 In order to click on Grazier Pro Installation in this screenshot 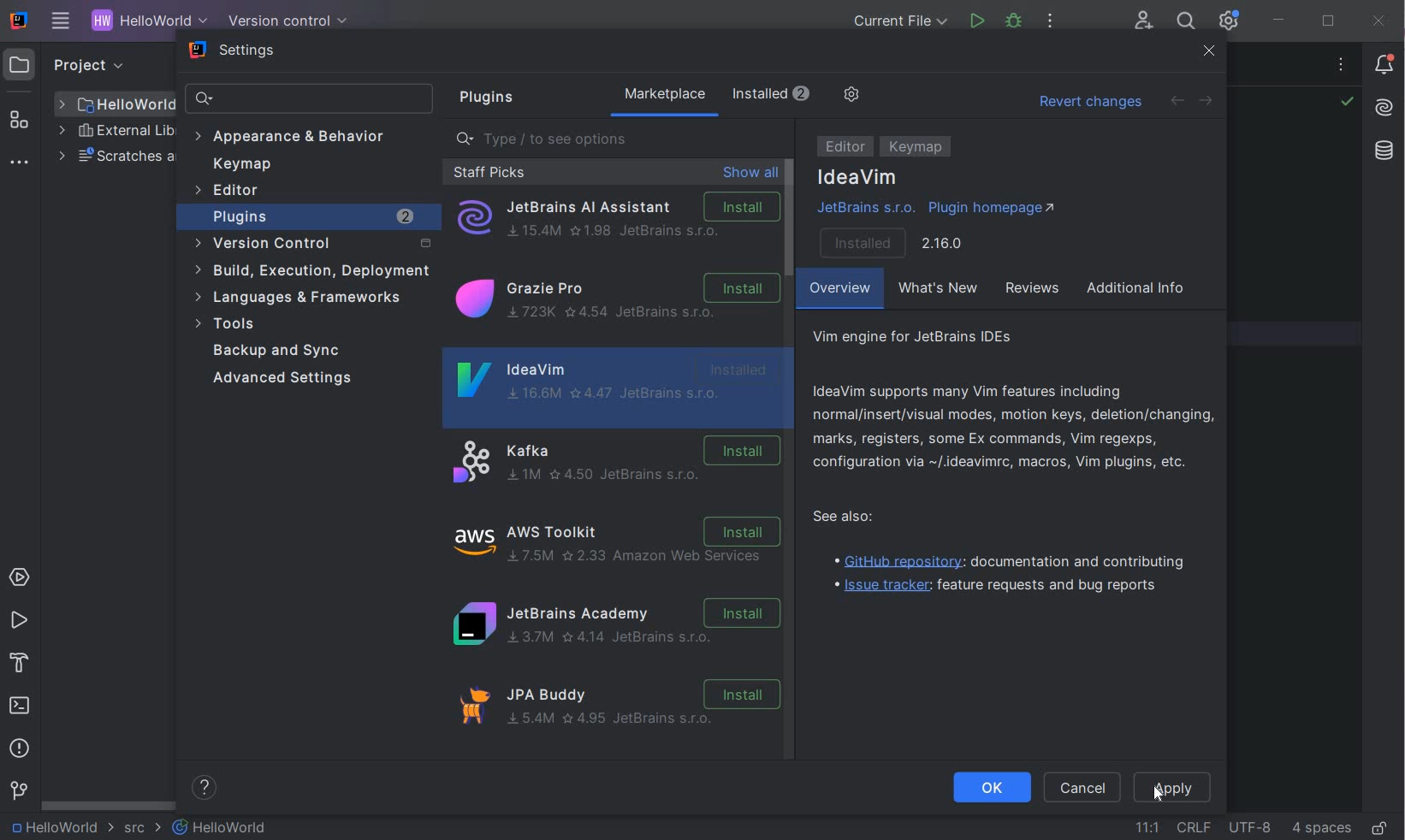, I will do `click(614, 301)`.